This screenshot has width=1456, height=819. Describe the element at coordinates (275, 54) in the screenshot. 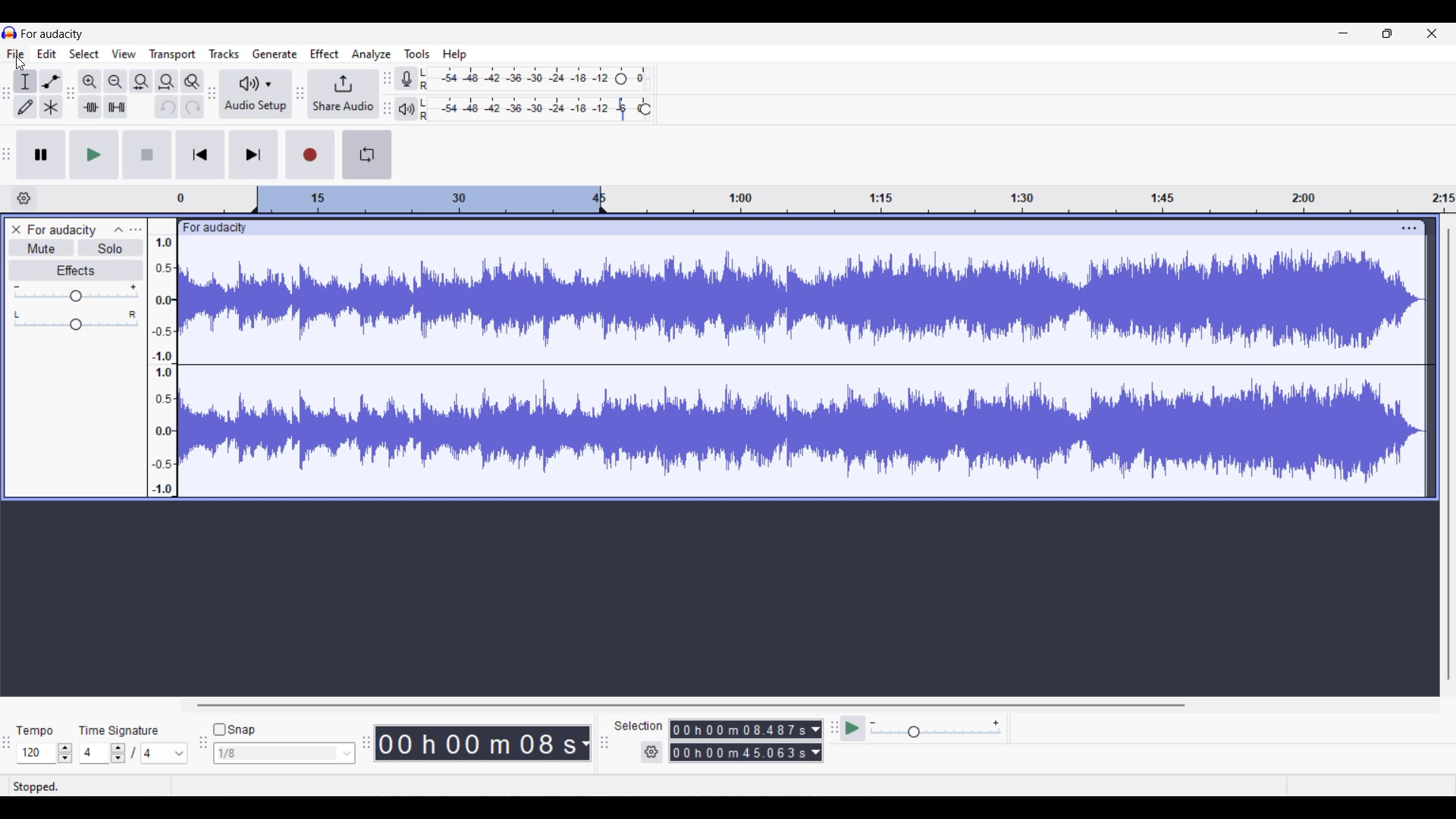

I see `Generate menu` at that location.